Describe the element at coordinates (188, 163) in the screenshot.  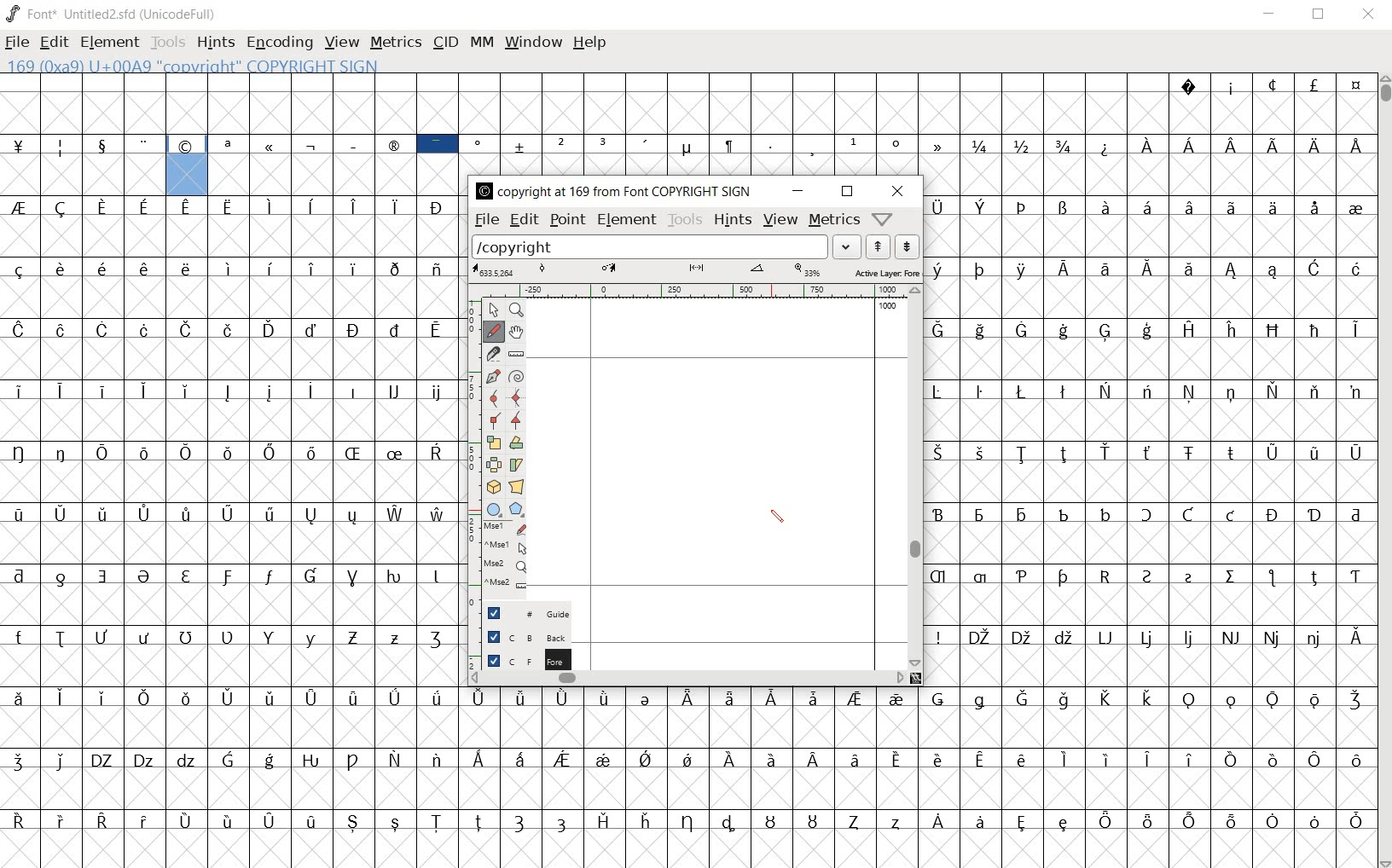
I see `169 (0x9a) U+00A9 "copyright" COPYRIGHT SIGN` at that location.